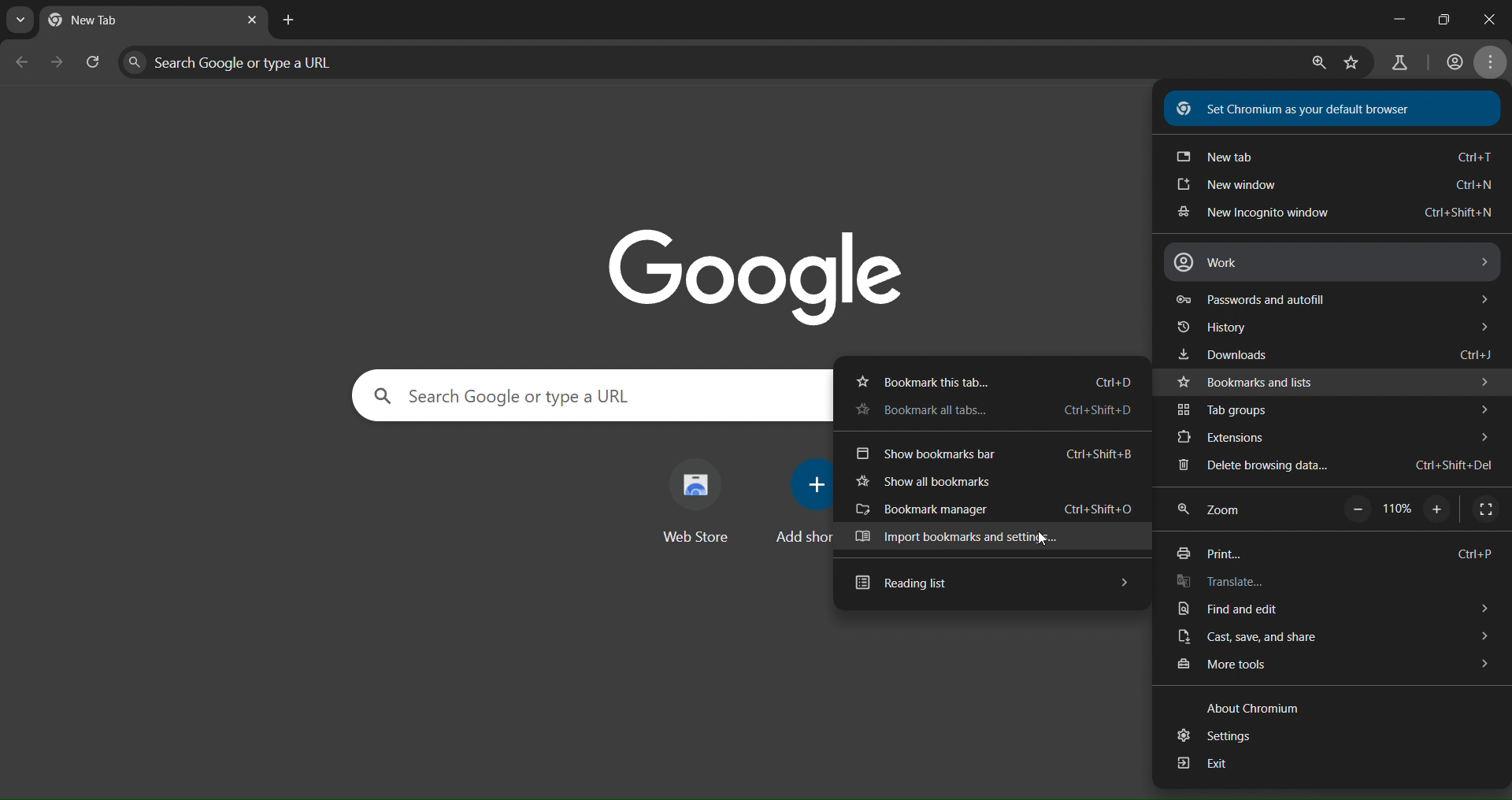 The width and height of the screenshot is (1512, 800). I want to click on Set Chromium as your default browser, so click(1334, 109).